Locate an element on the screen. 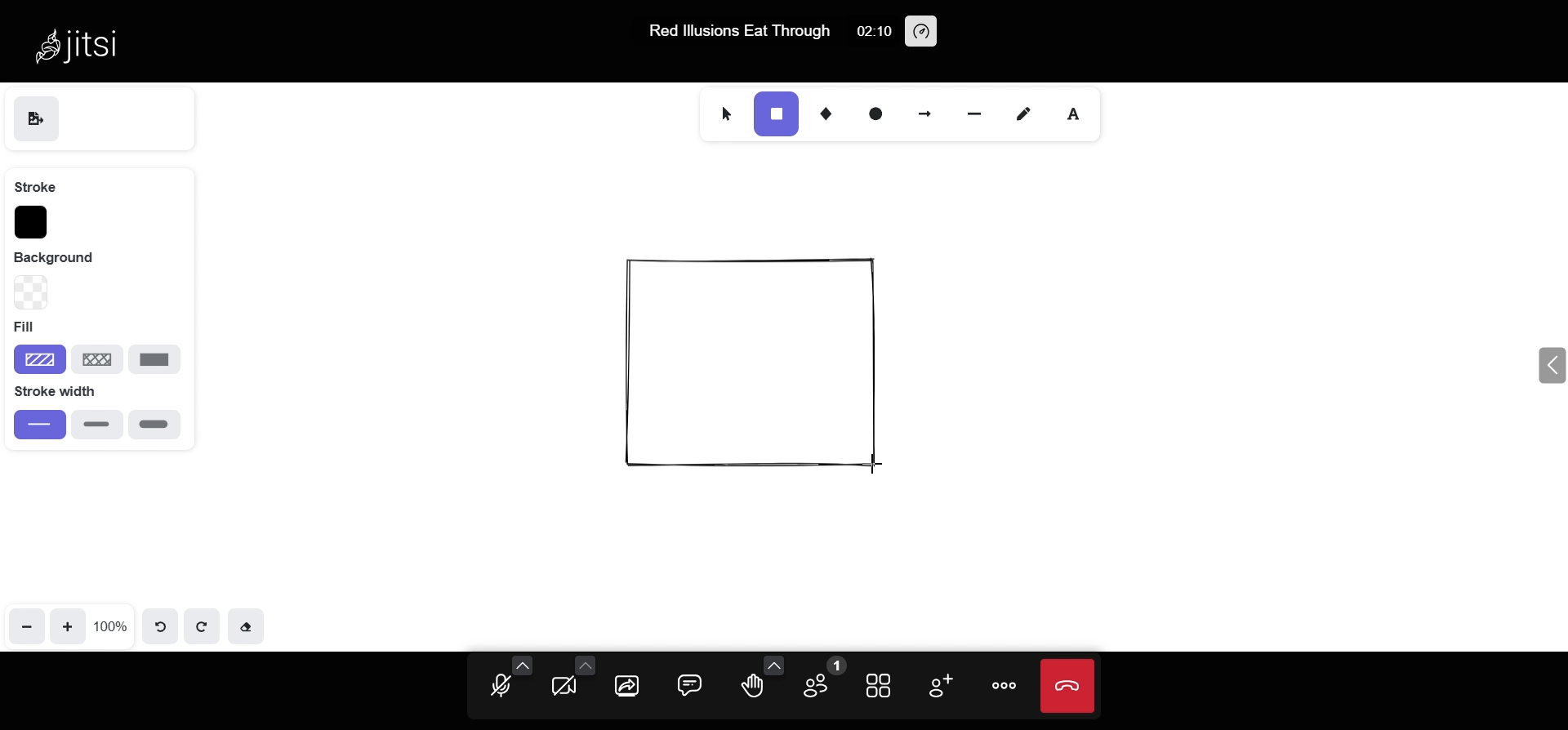 The image size is (1568, 730). redo is located at coordinates (203, 625).